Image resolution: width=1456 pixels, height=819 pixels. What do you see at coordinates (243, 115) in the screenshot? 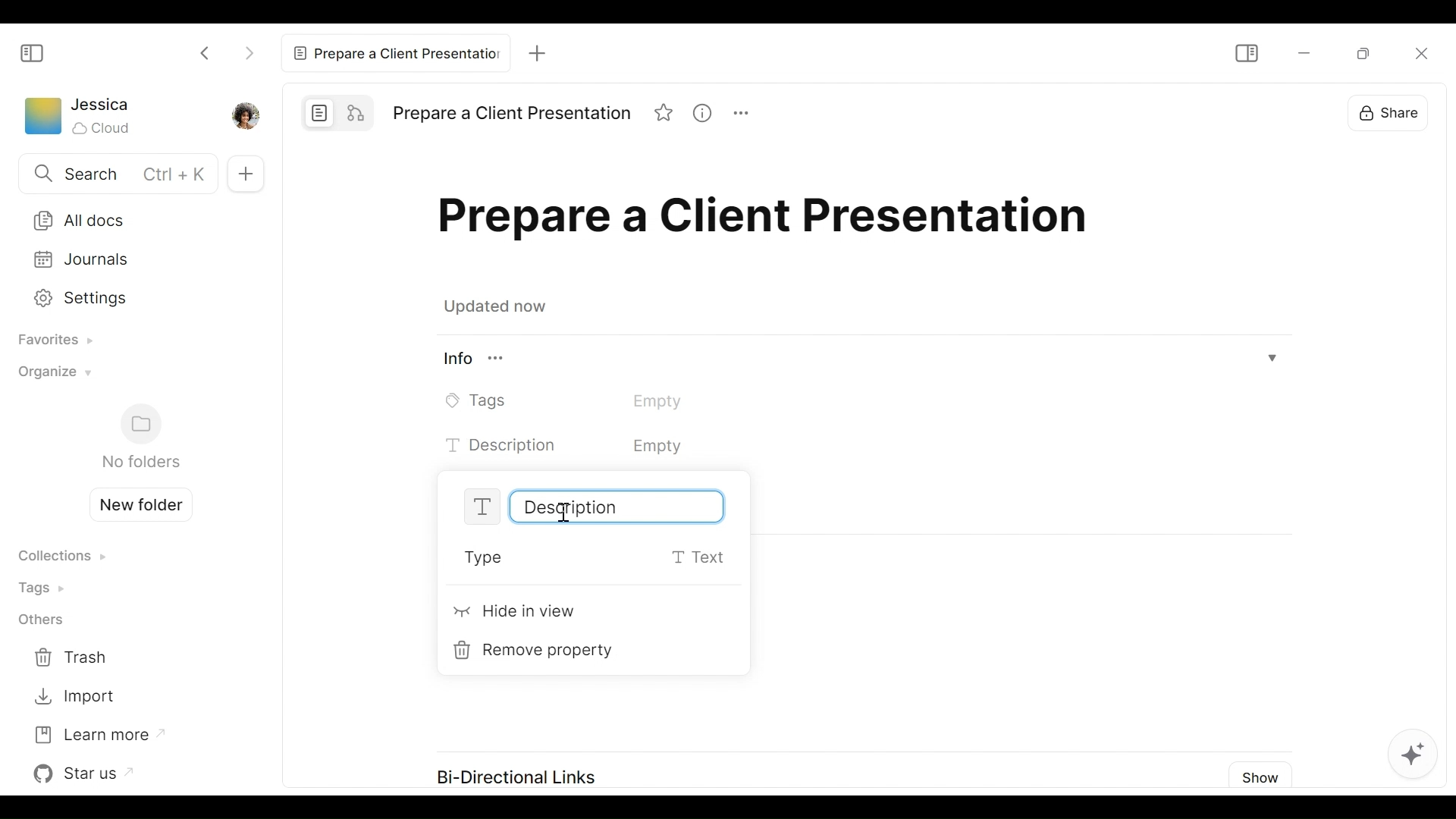
I see `Profile picture` at bounding box center [243, 115].